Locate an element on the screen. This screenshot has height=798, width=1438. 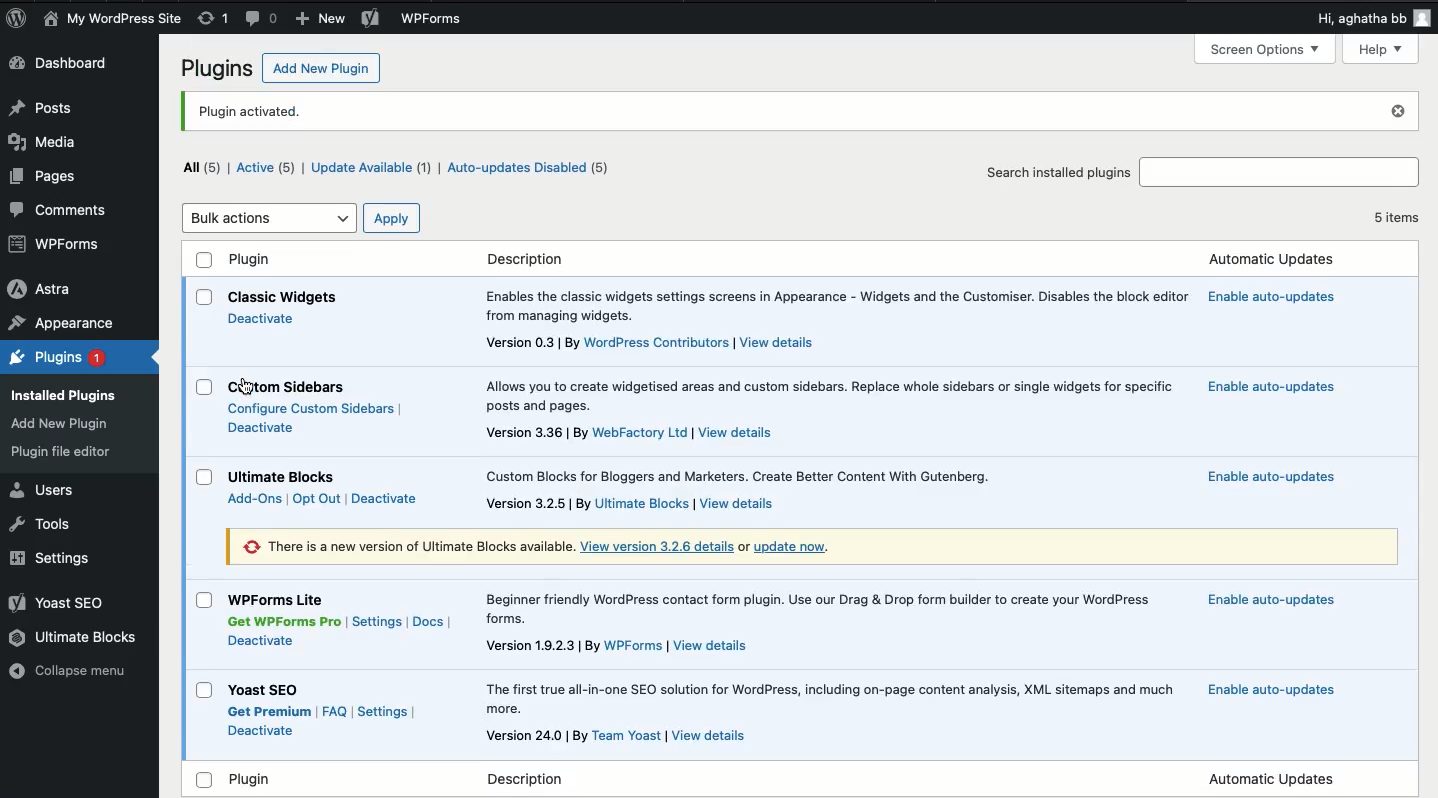
description is located at coordinates (764, 475).